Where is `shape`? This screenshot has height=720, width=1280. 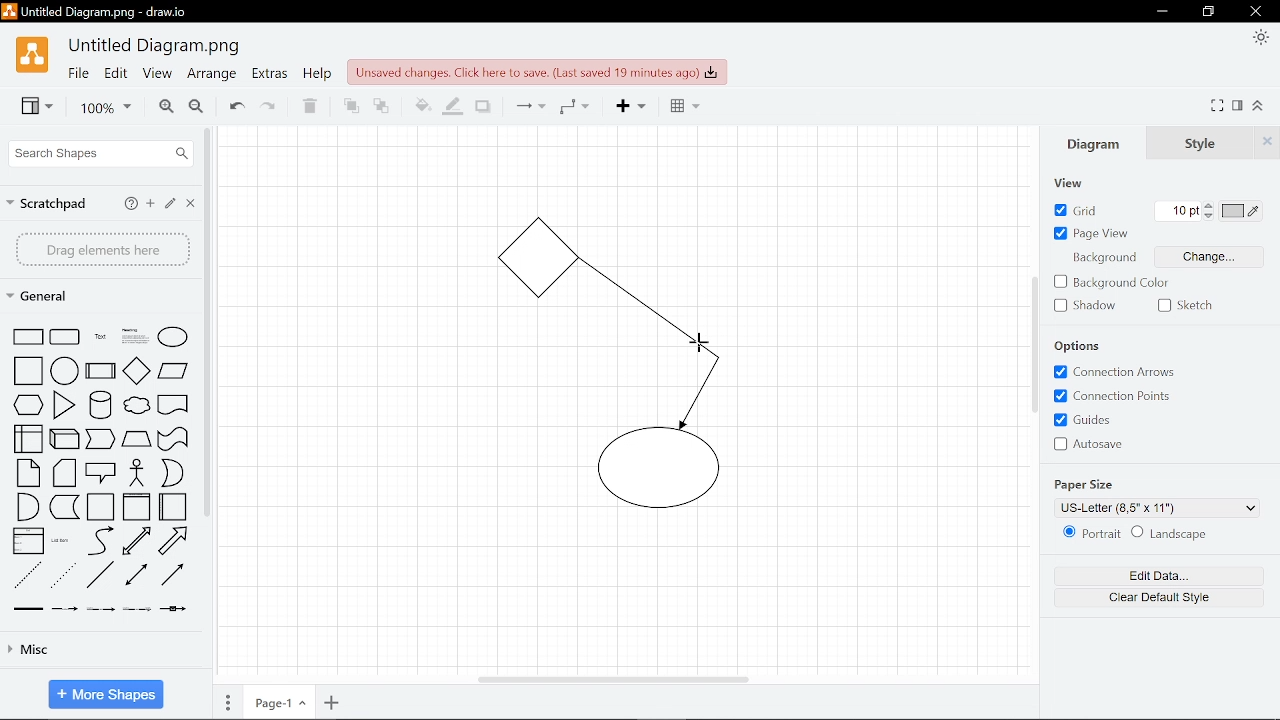 shape is located at coordinates (67, 438).